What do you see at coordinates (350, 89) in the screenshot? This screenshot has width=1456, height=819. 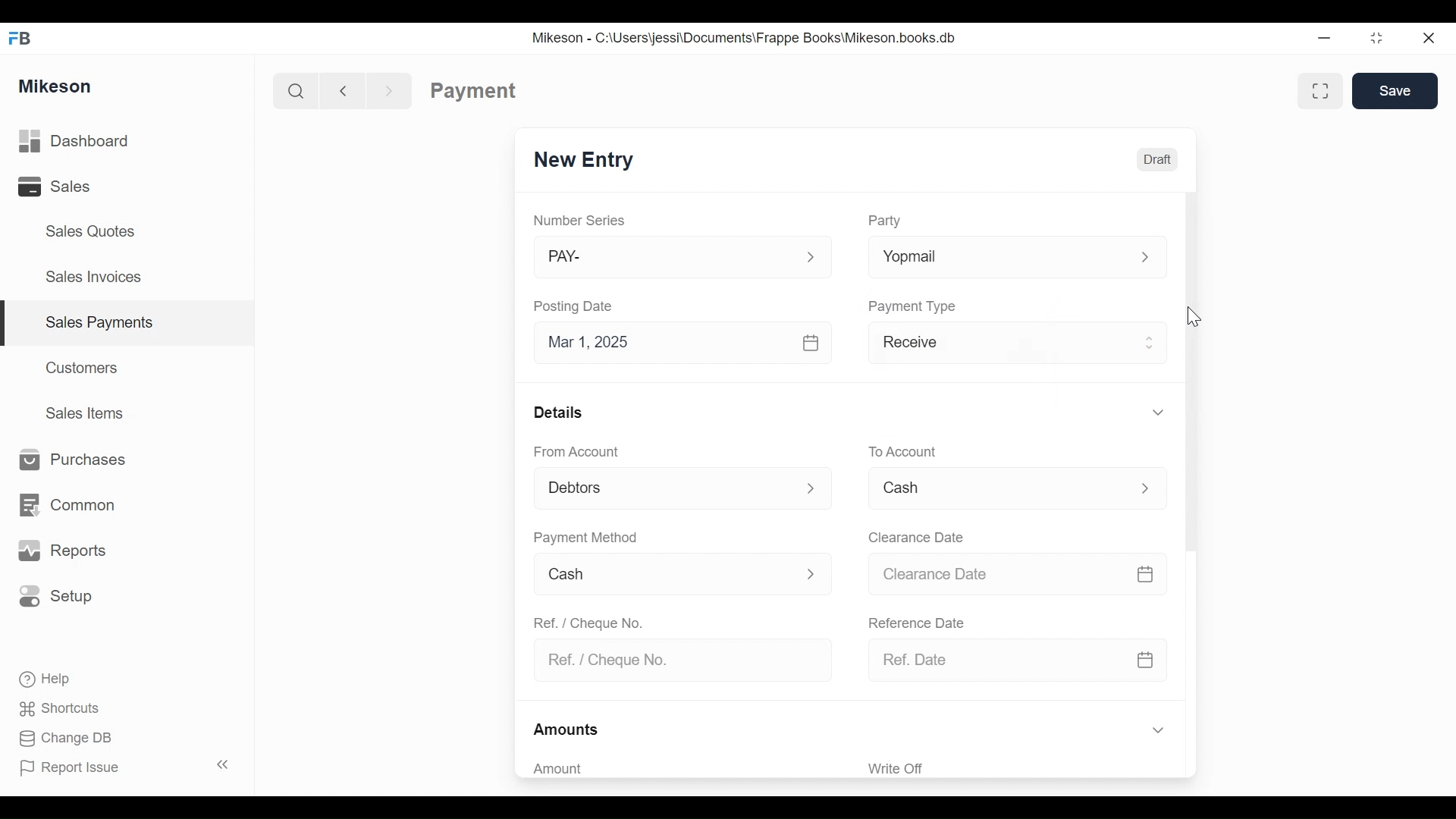 I see `Back` at bounding box center [350, 89].